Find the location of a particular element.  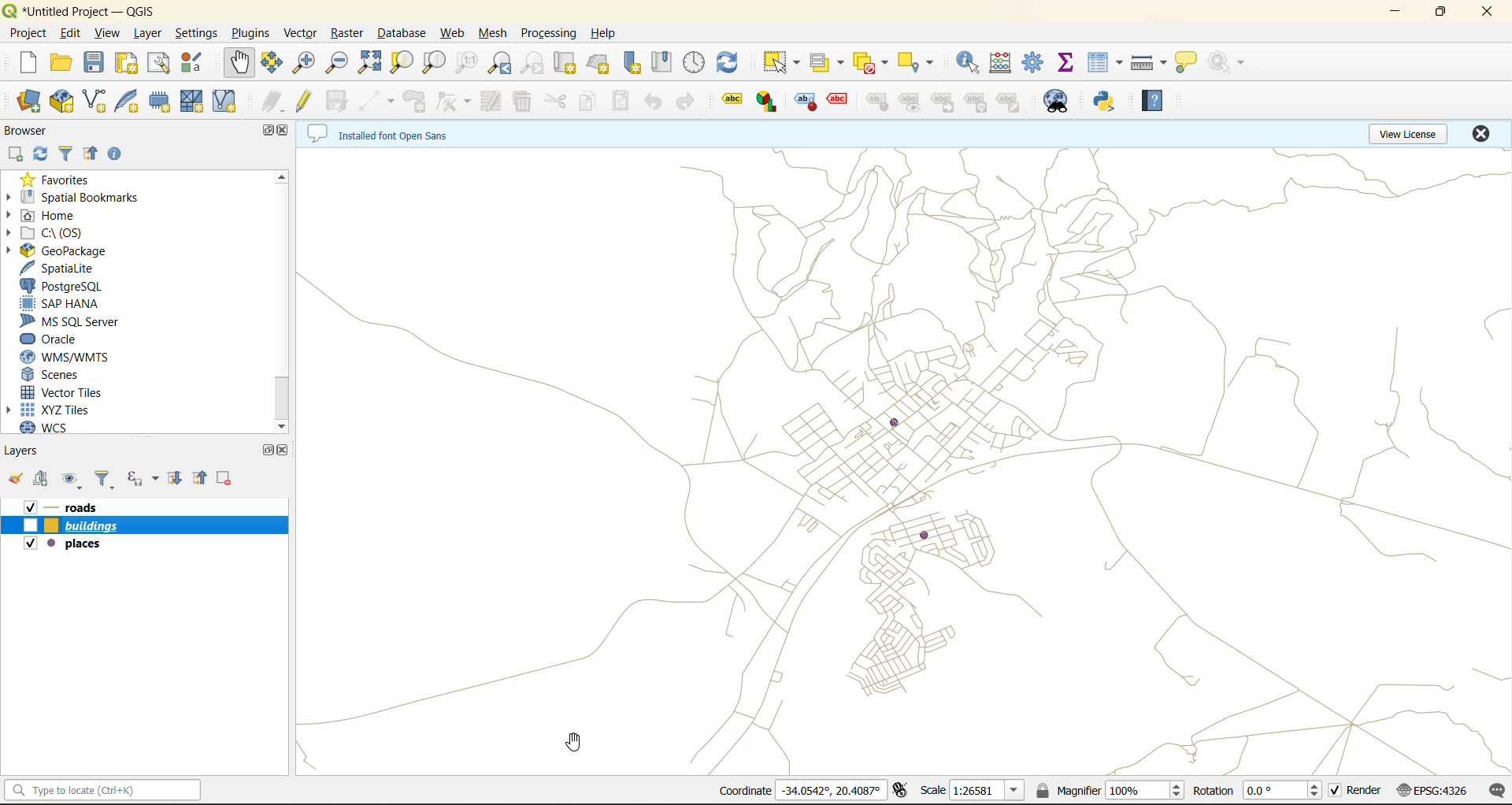

Label Placement is located at coordinates (802, 101).